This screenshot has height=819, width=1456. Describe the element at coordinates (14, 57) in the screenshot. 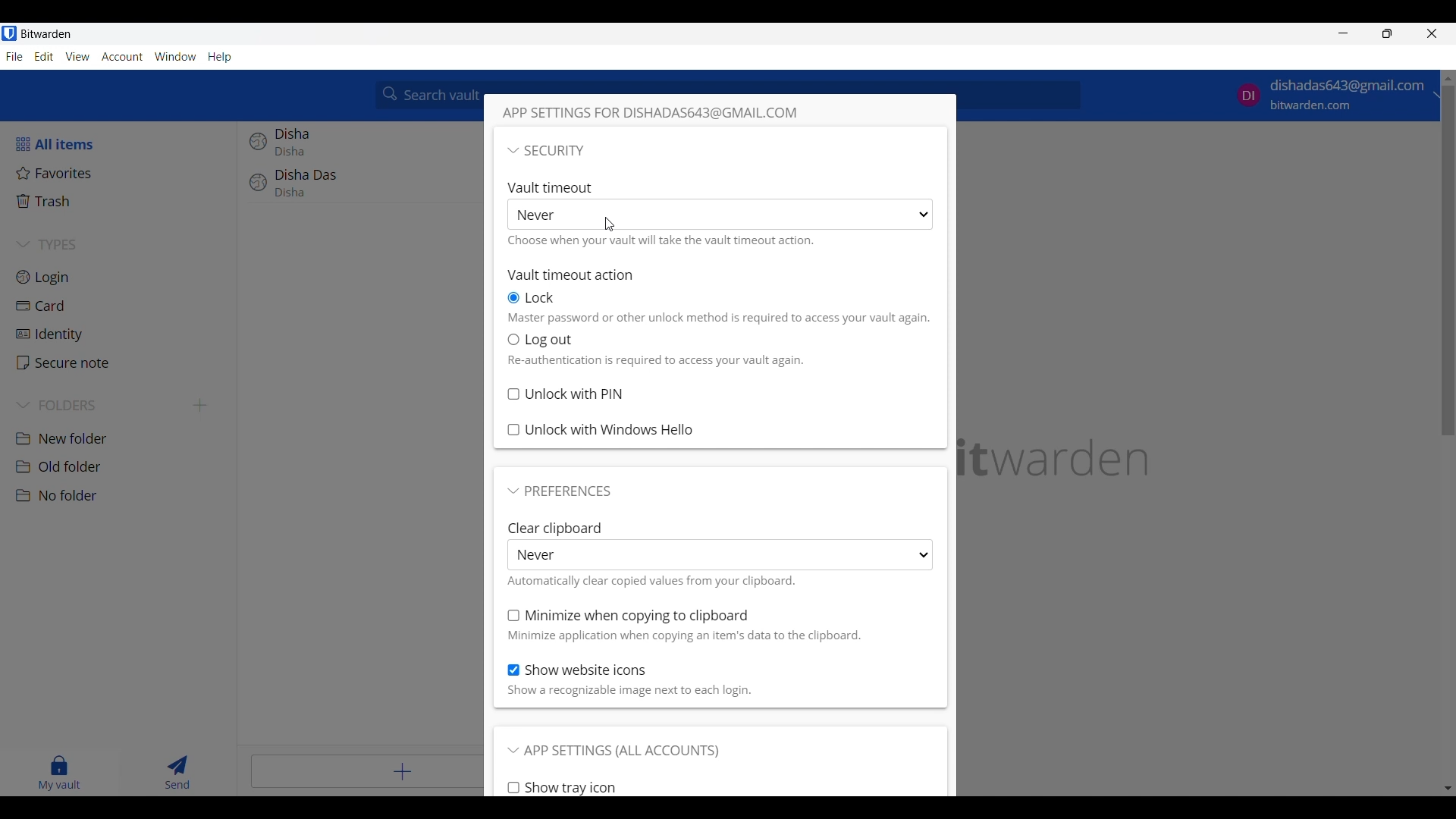

I see `File menu` at that location.